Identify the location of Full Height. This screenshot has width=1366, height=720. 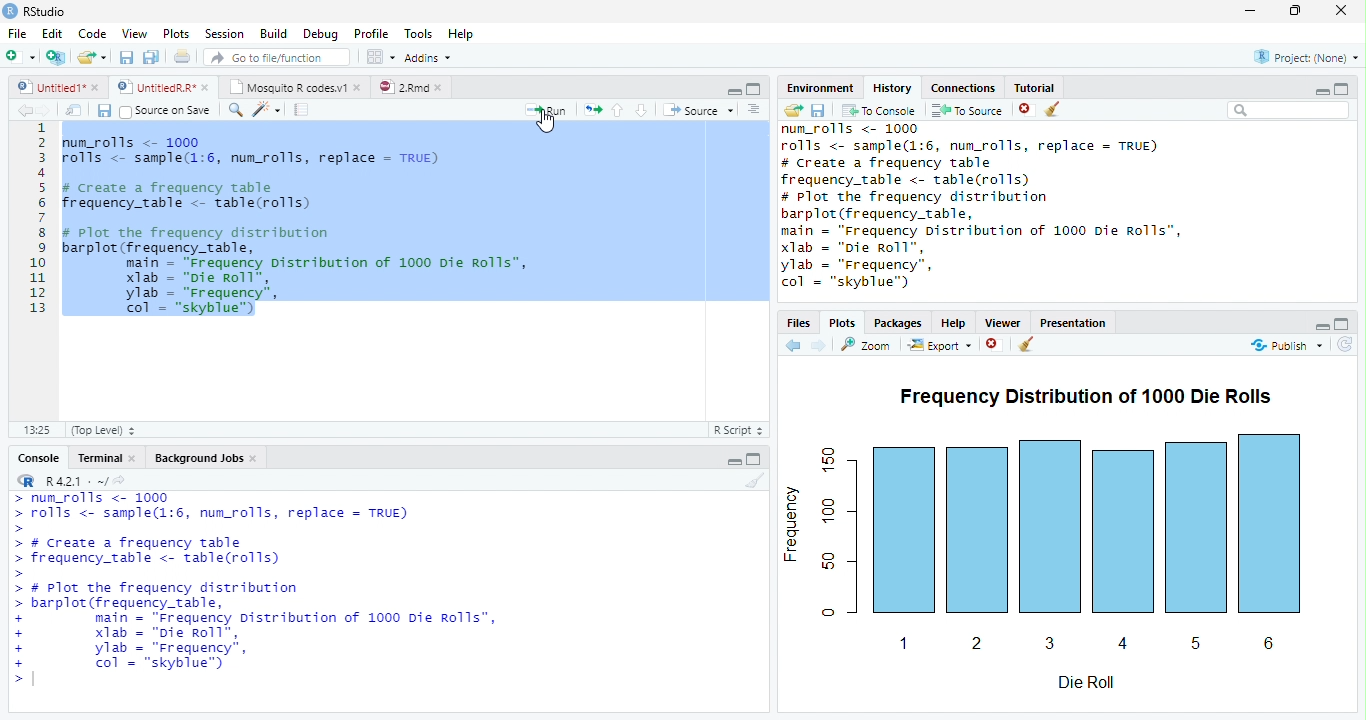
(1344, 324).